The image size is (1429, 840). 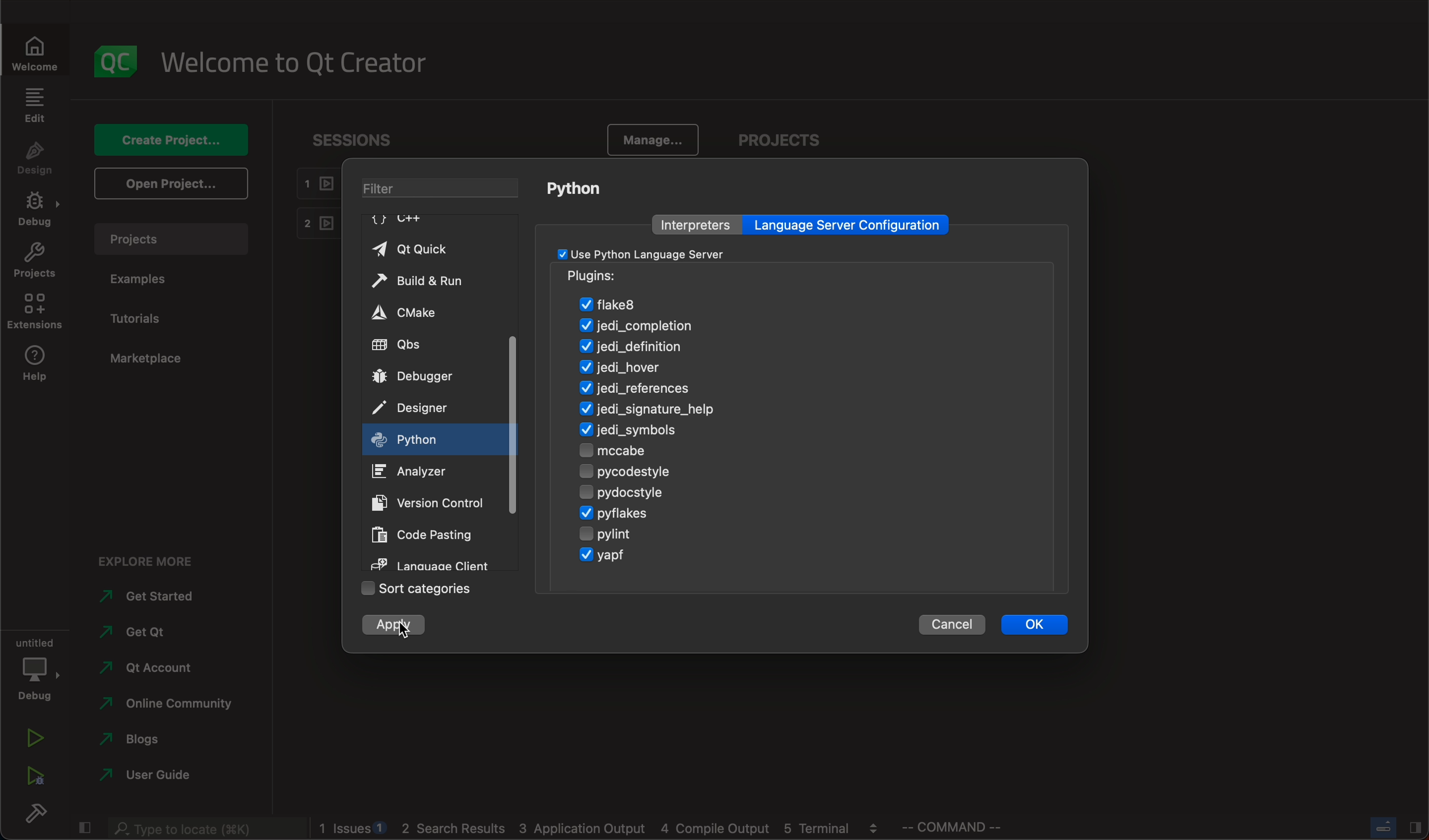 What do you see at coordinates (653, 139) in the screenshot?
I see `manage` at bounding box center [653, 139].